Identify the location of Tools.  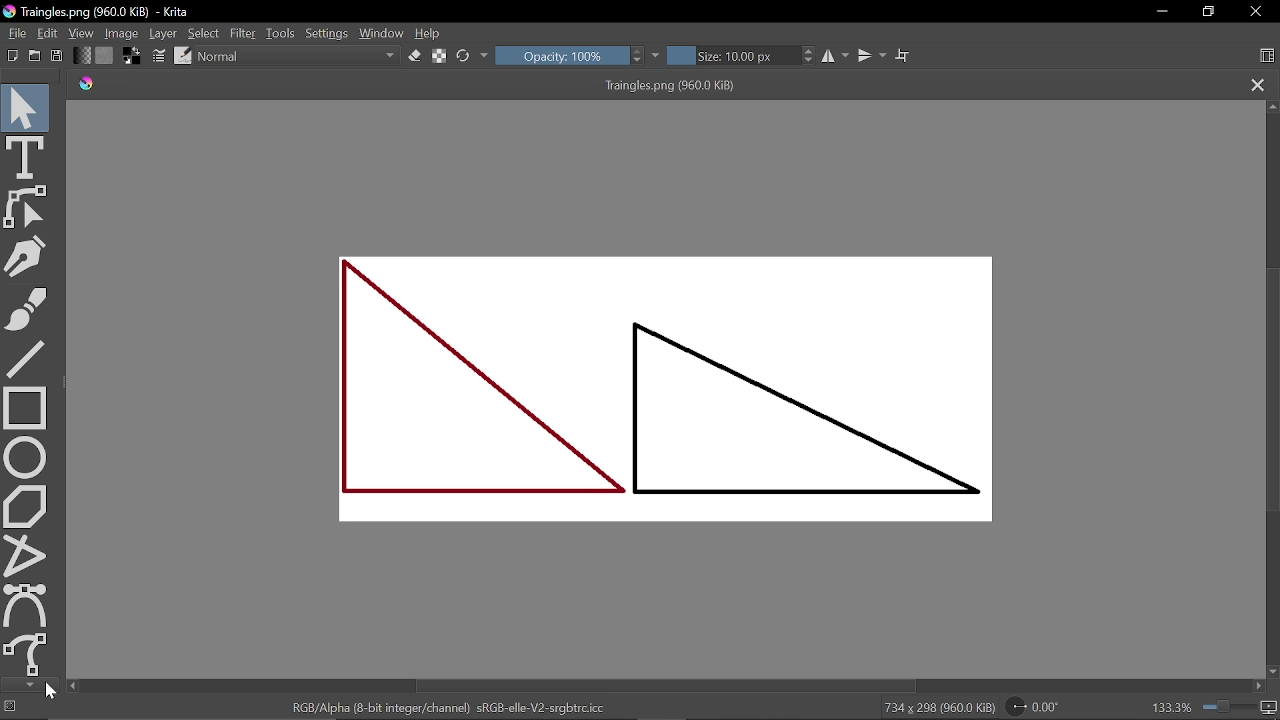
(282, 34).